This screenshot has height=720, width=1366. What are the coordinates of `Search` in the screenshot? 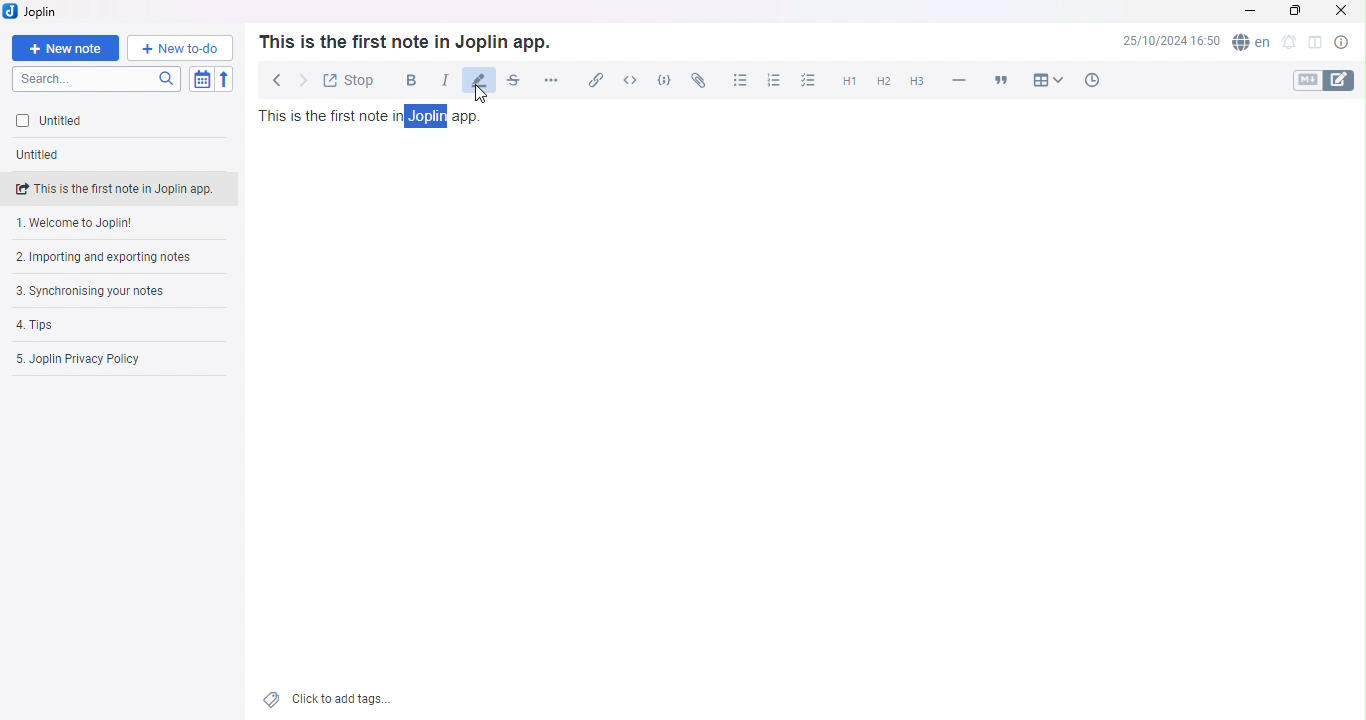 It's located at (100, 79).